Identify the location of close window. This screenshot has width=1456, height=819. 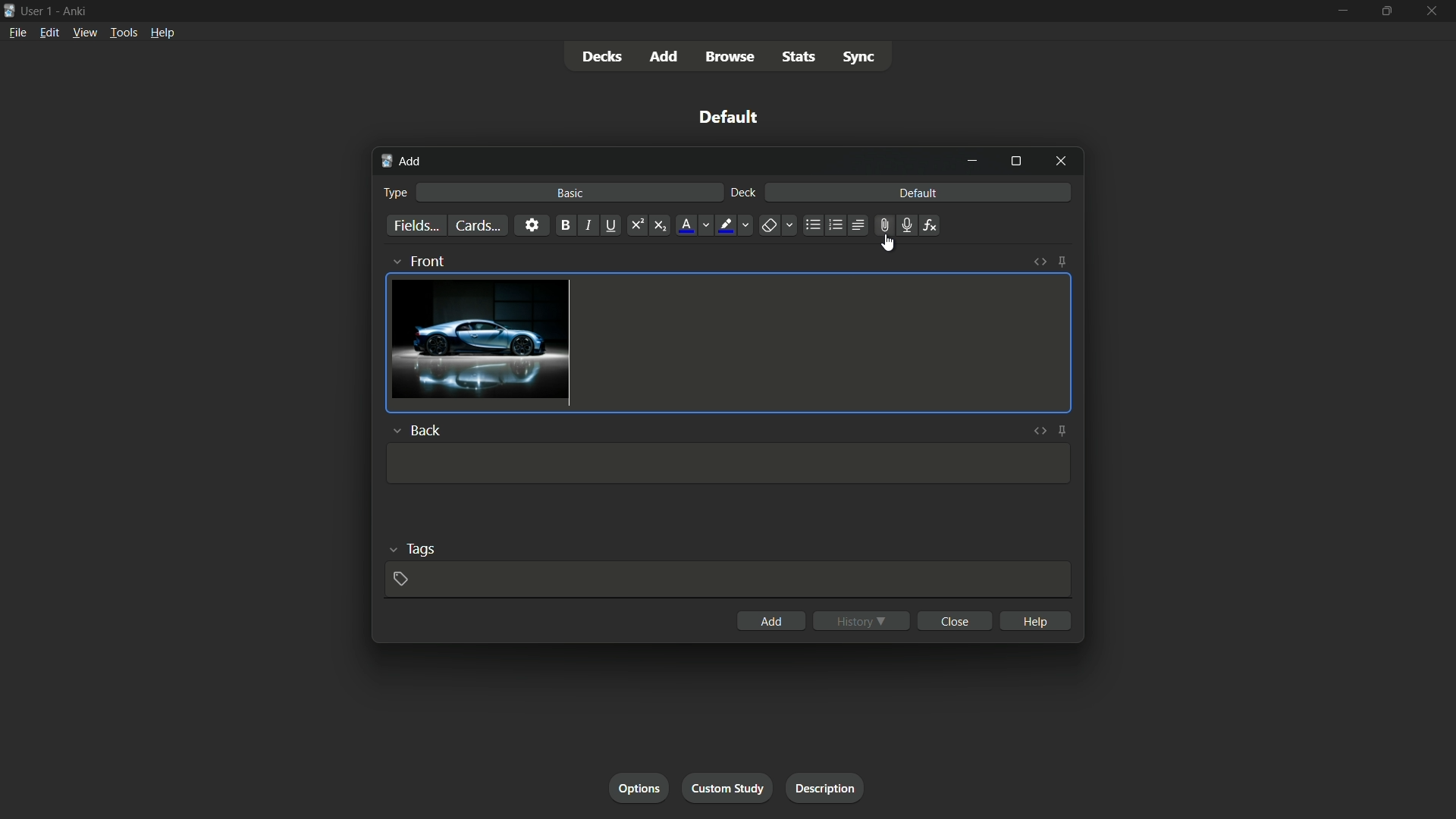
(1062, 162).